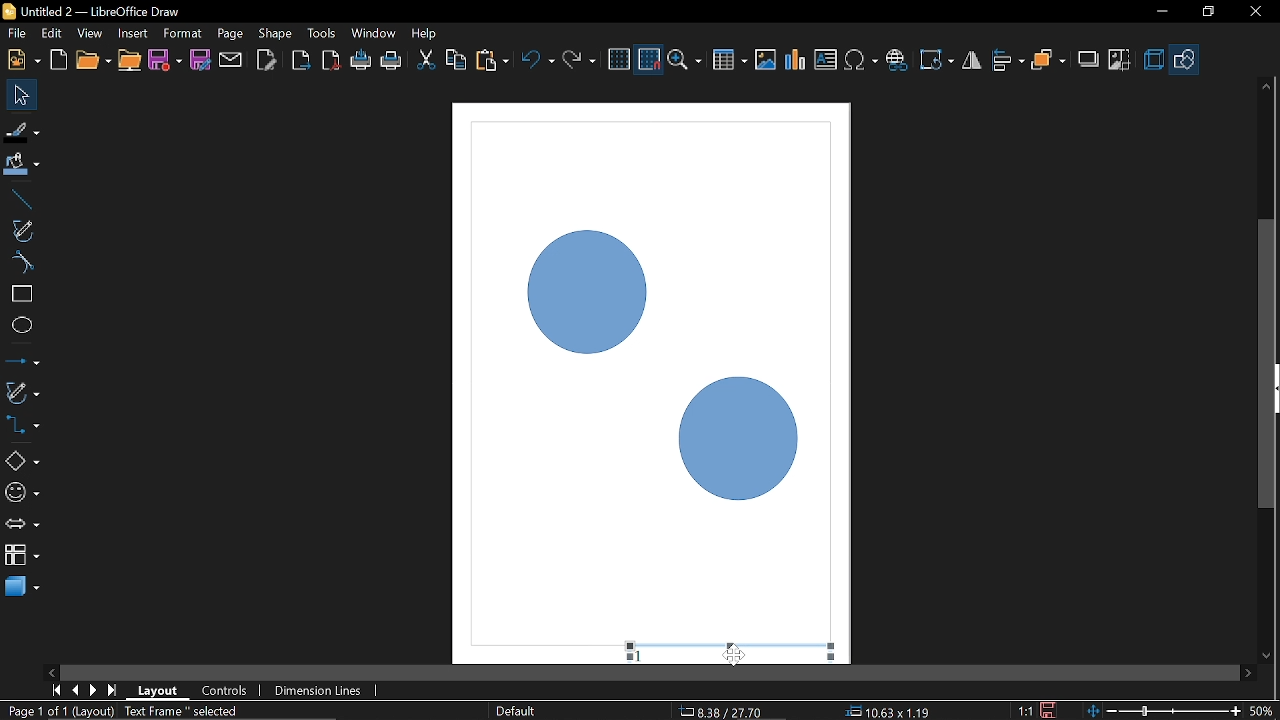  I want to click on Image, so click(765, 59).